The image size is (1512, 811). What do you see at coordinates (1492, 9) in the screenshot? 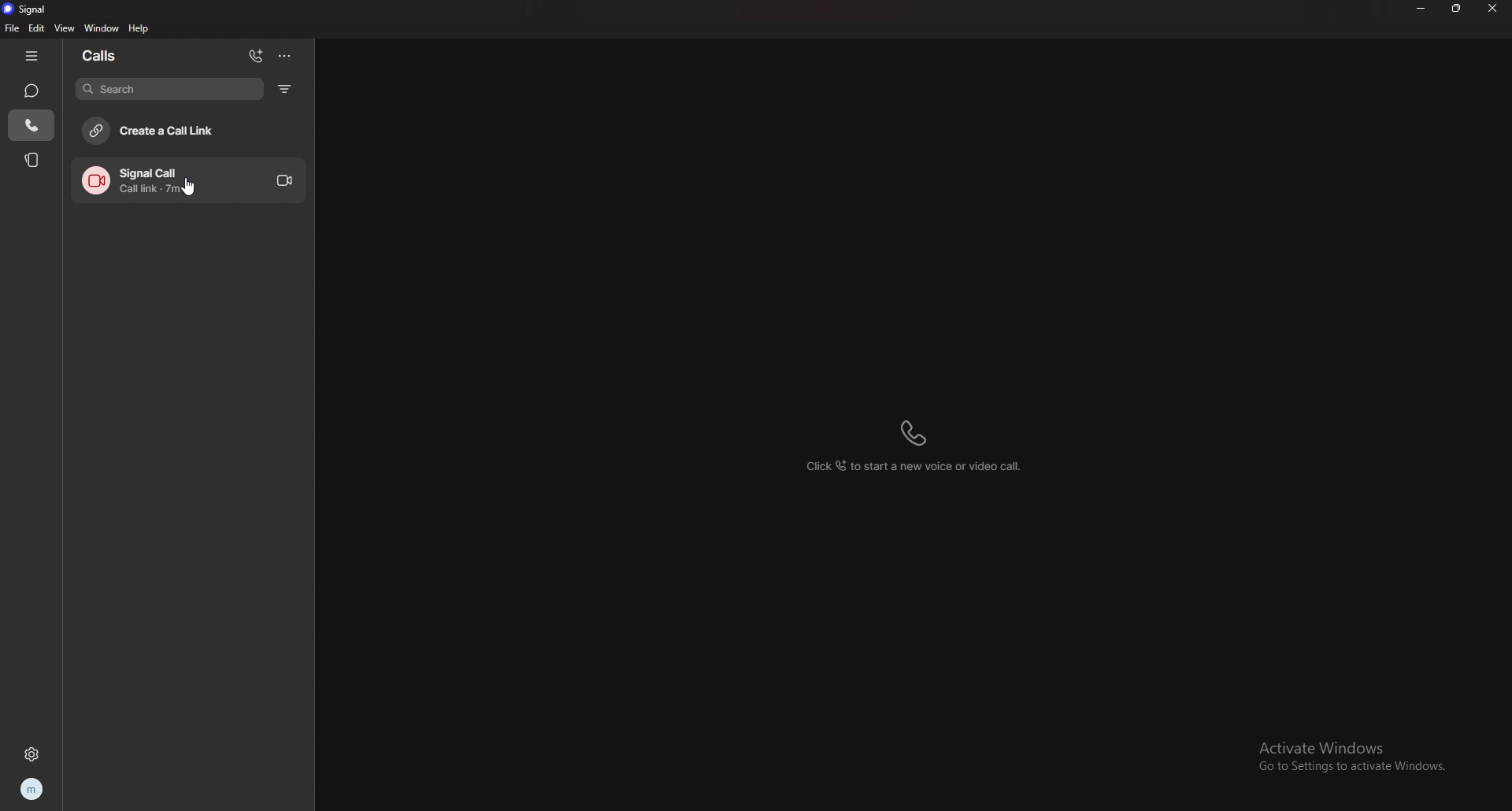
I see `close` at bounding box center [1492, 9].